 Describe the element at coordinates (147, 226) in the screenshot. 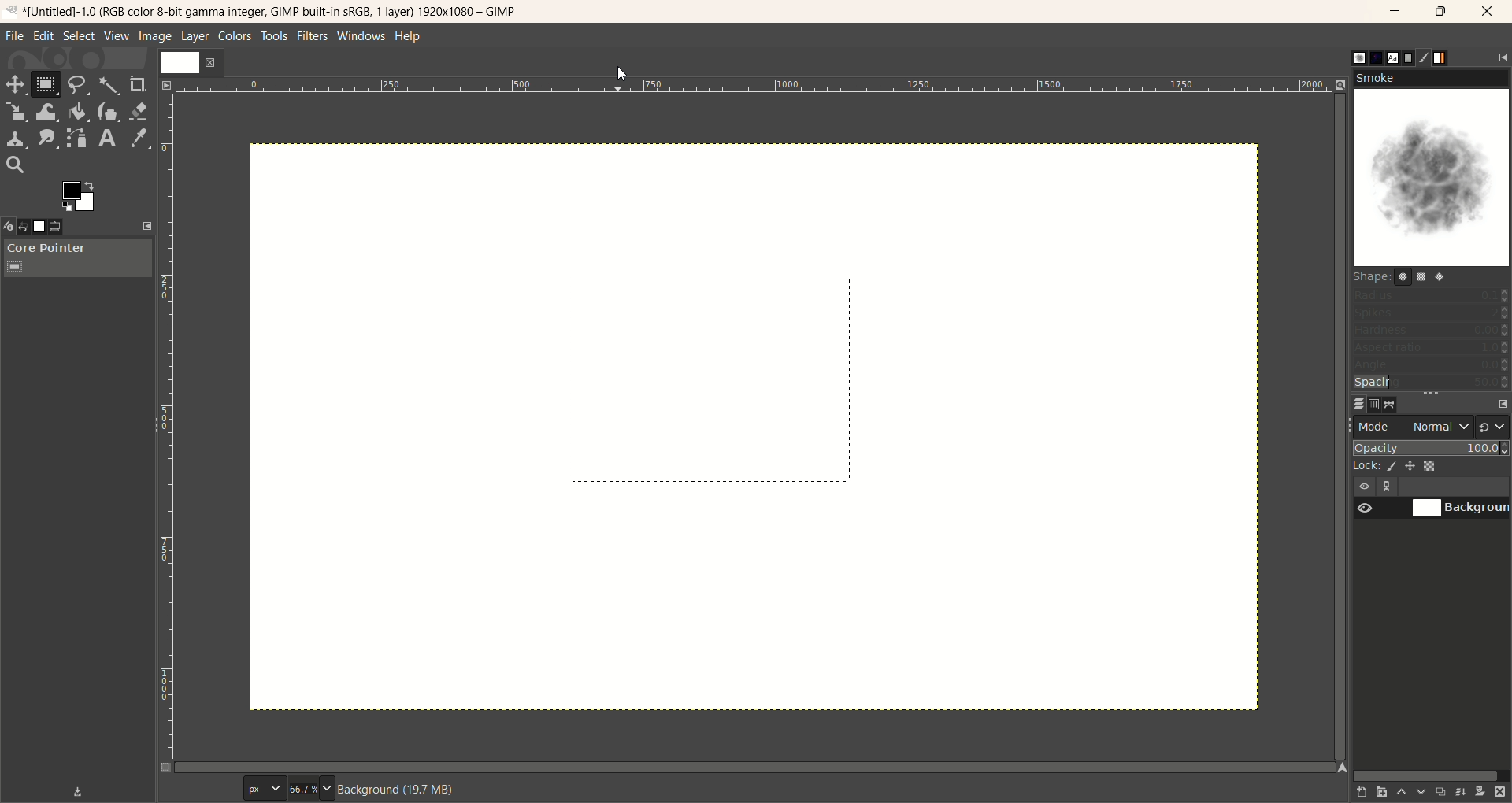

I see `configure this tab` at that location.